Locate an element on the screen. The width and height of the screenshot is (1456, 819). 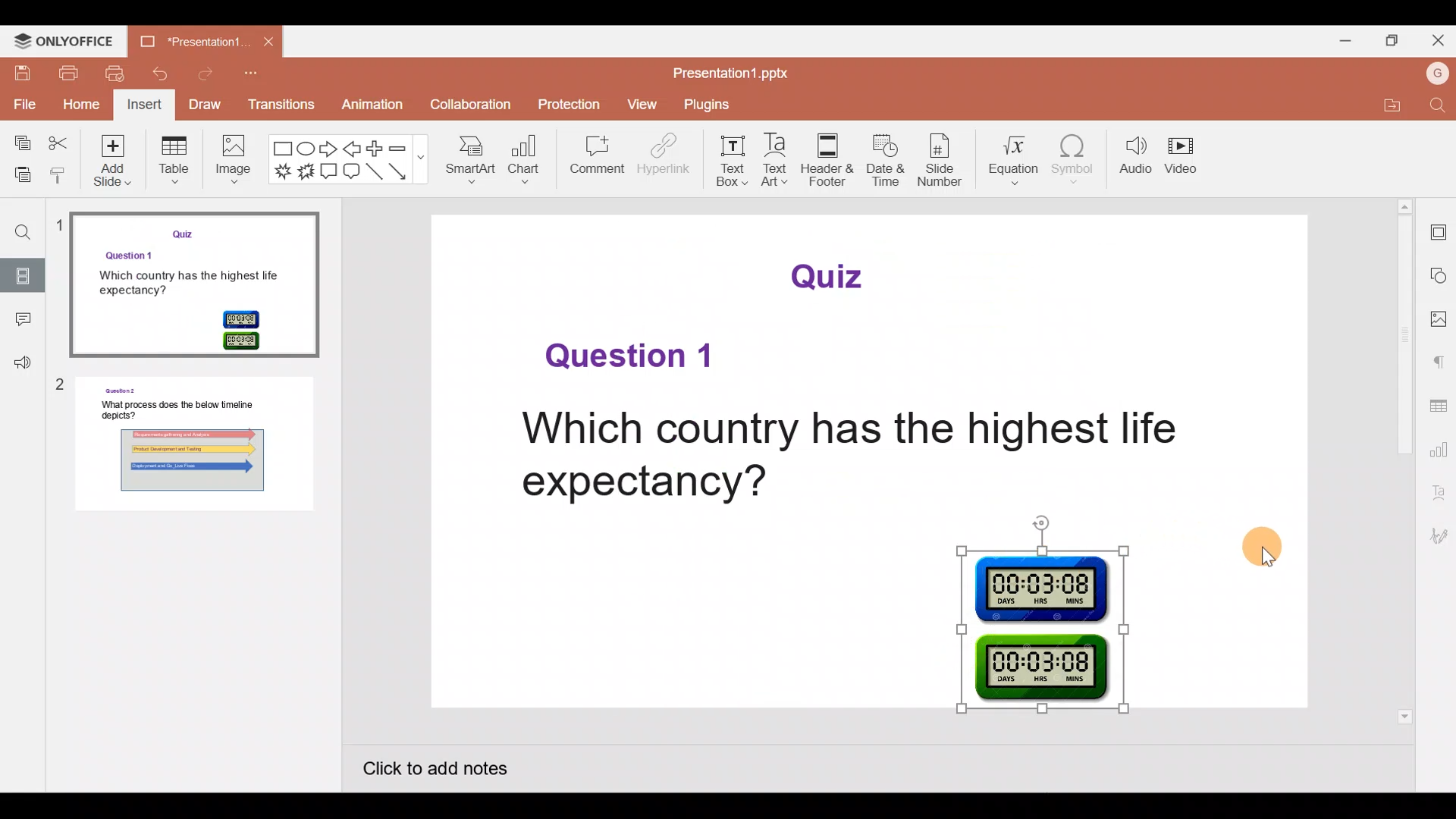
Customize quick access toolbar is located at coordinates (260, 76).